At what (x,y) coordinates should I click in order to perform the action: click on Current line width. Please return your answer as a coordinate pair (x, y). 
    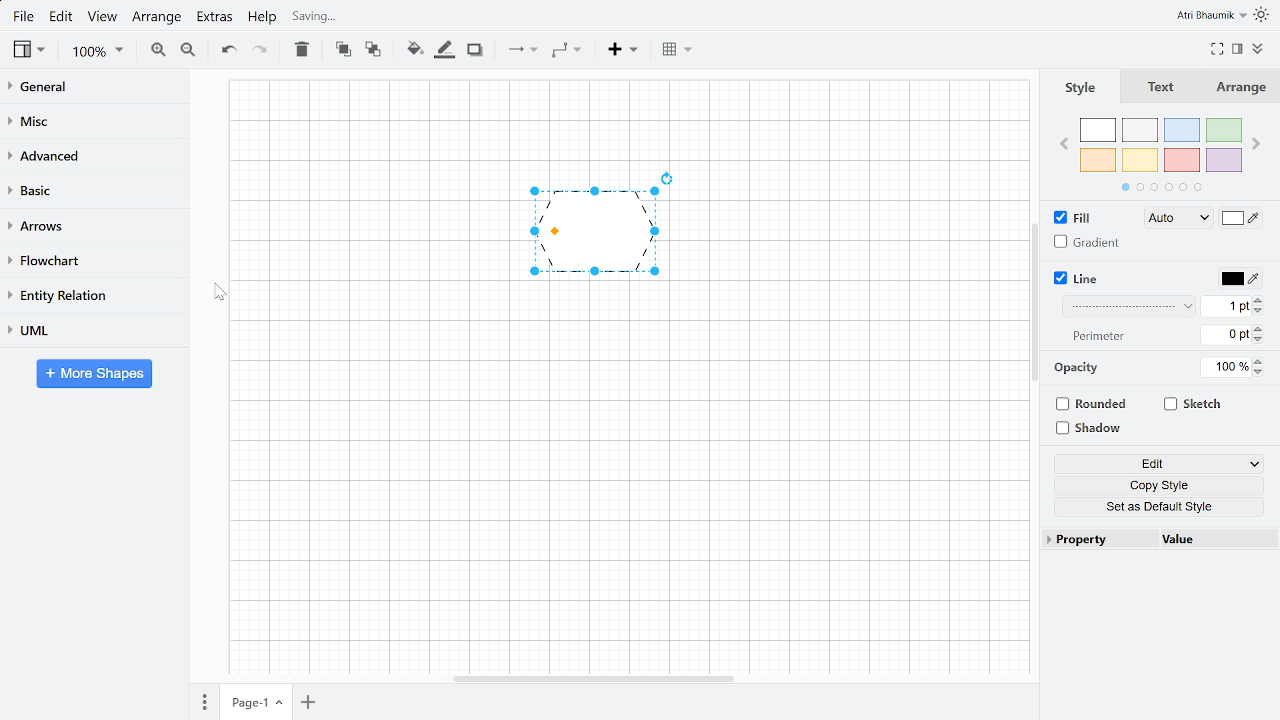
    Looking at the image, I should click on (1226, 307).